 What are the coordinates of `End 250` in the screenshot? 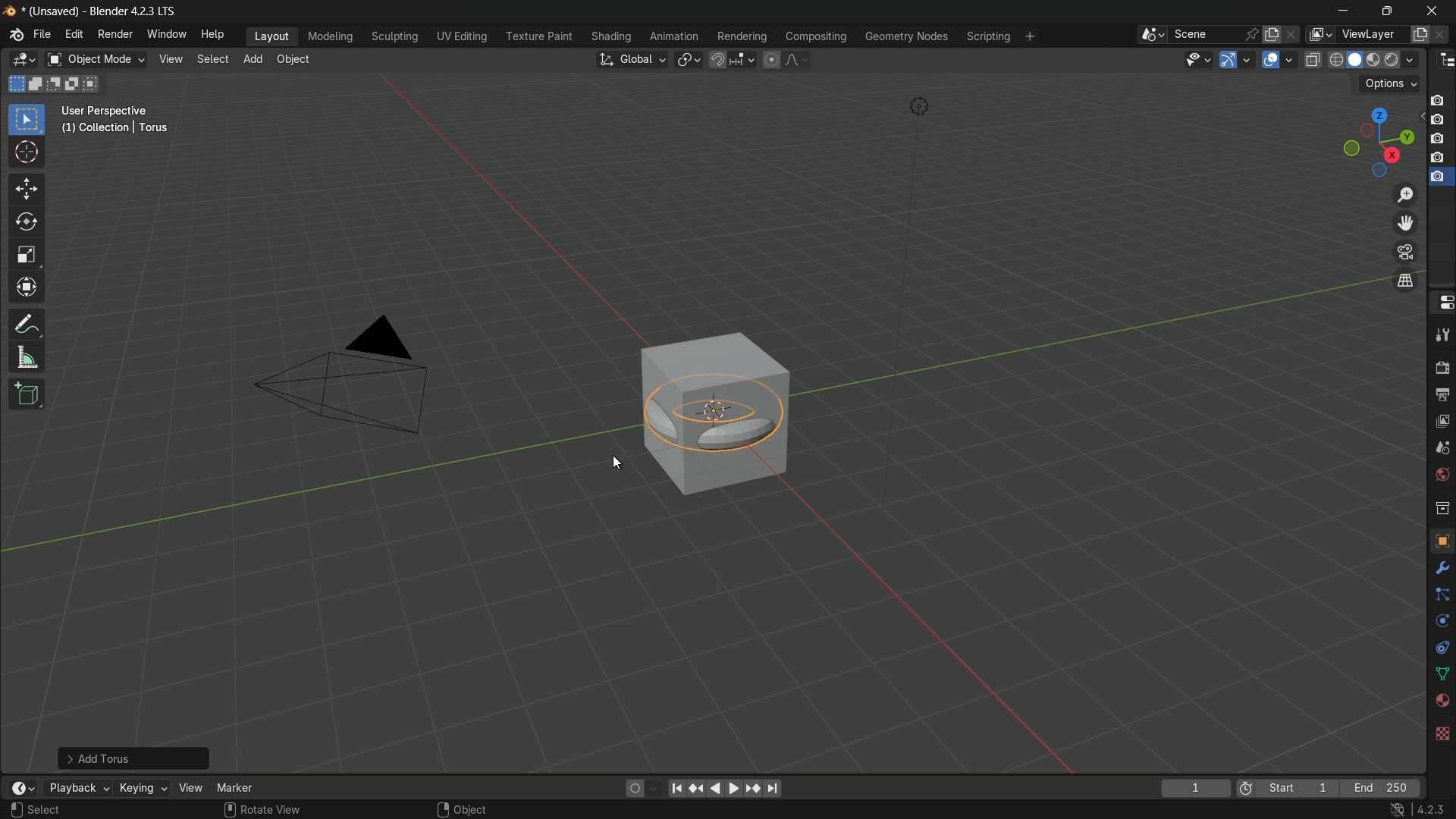 It's located at (1379, 788).